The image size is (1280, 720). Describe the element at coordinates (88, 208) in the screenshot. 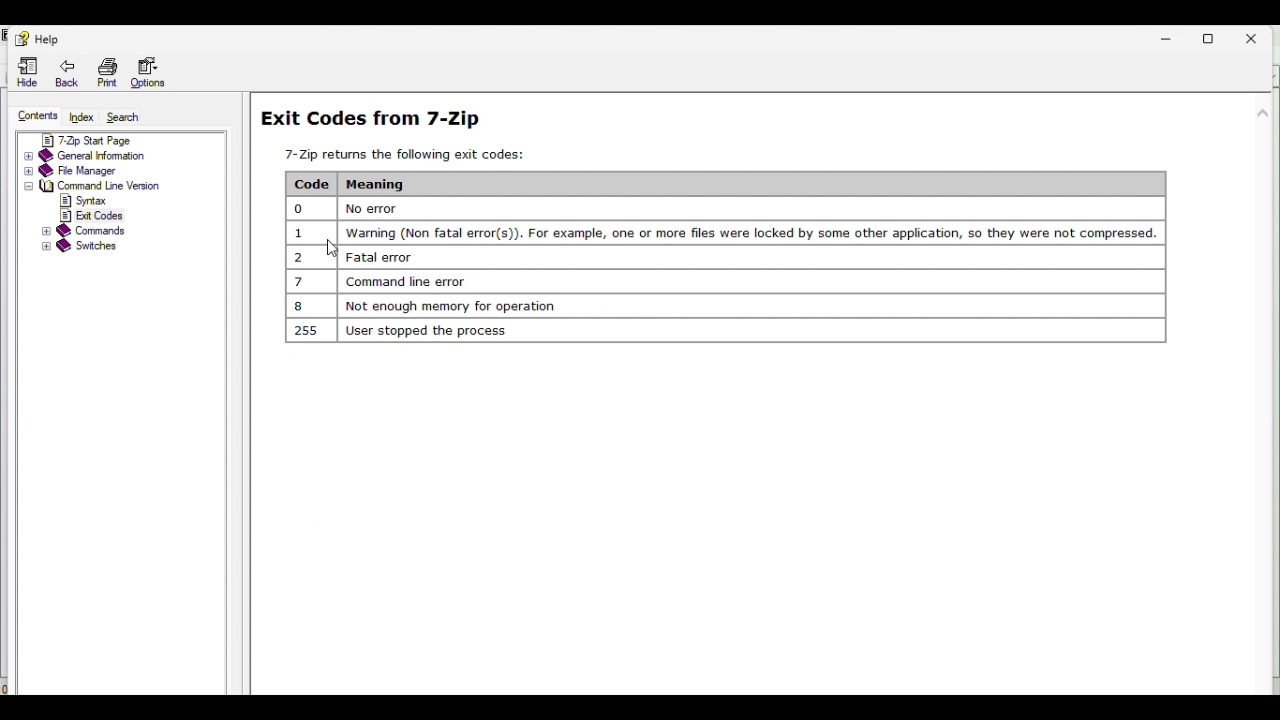

I see `Command Line Version Menus` at that location.